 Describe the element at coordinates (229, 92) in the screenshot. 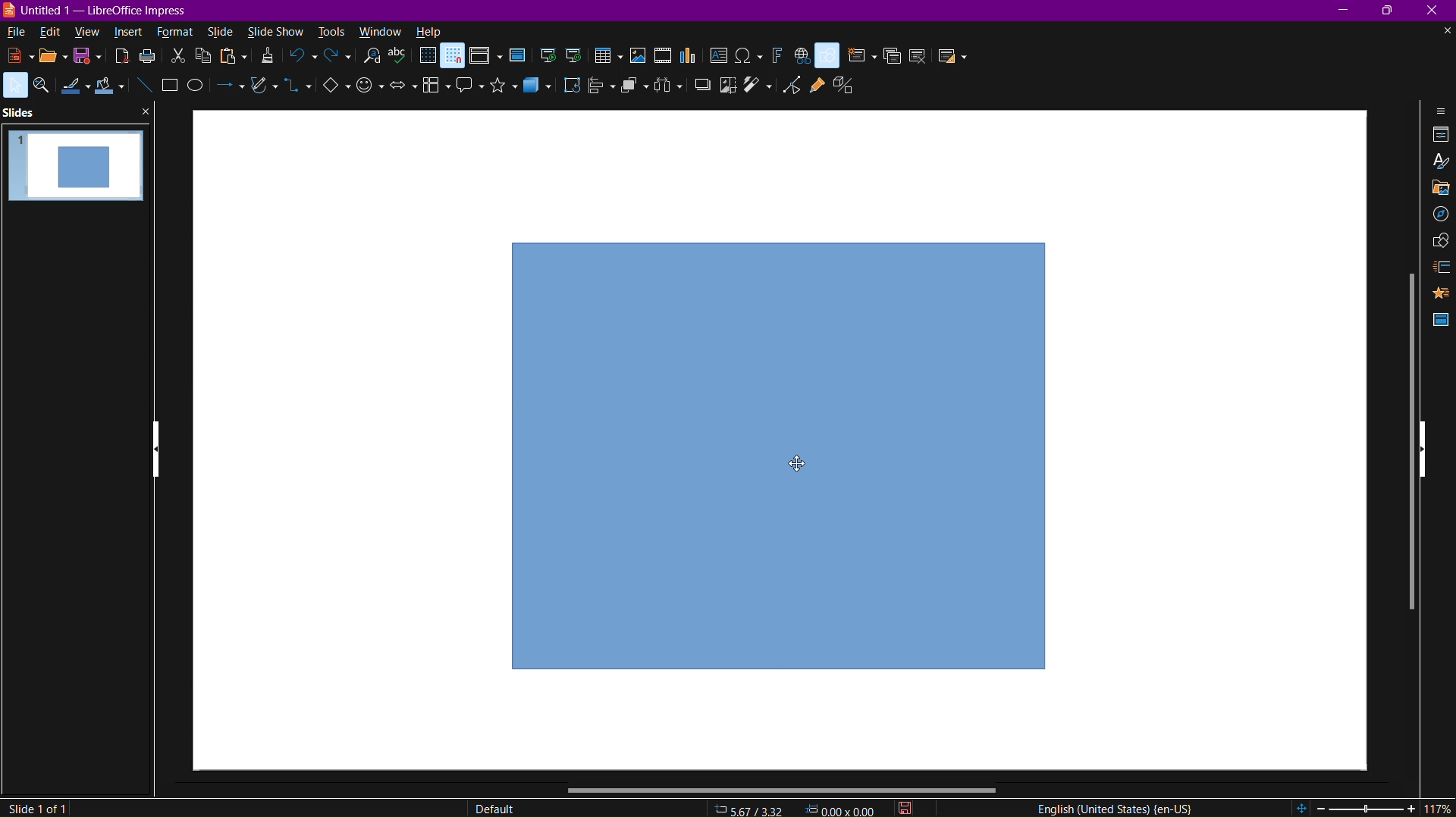

I see `Lines and Arrows` at that location.